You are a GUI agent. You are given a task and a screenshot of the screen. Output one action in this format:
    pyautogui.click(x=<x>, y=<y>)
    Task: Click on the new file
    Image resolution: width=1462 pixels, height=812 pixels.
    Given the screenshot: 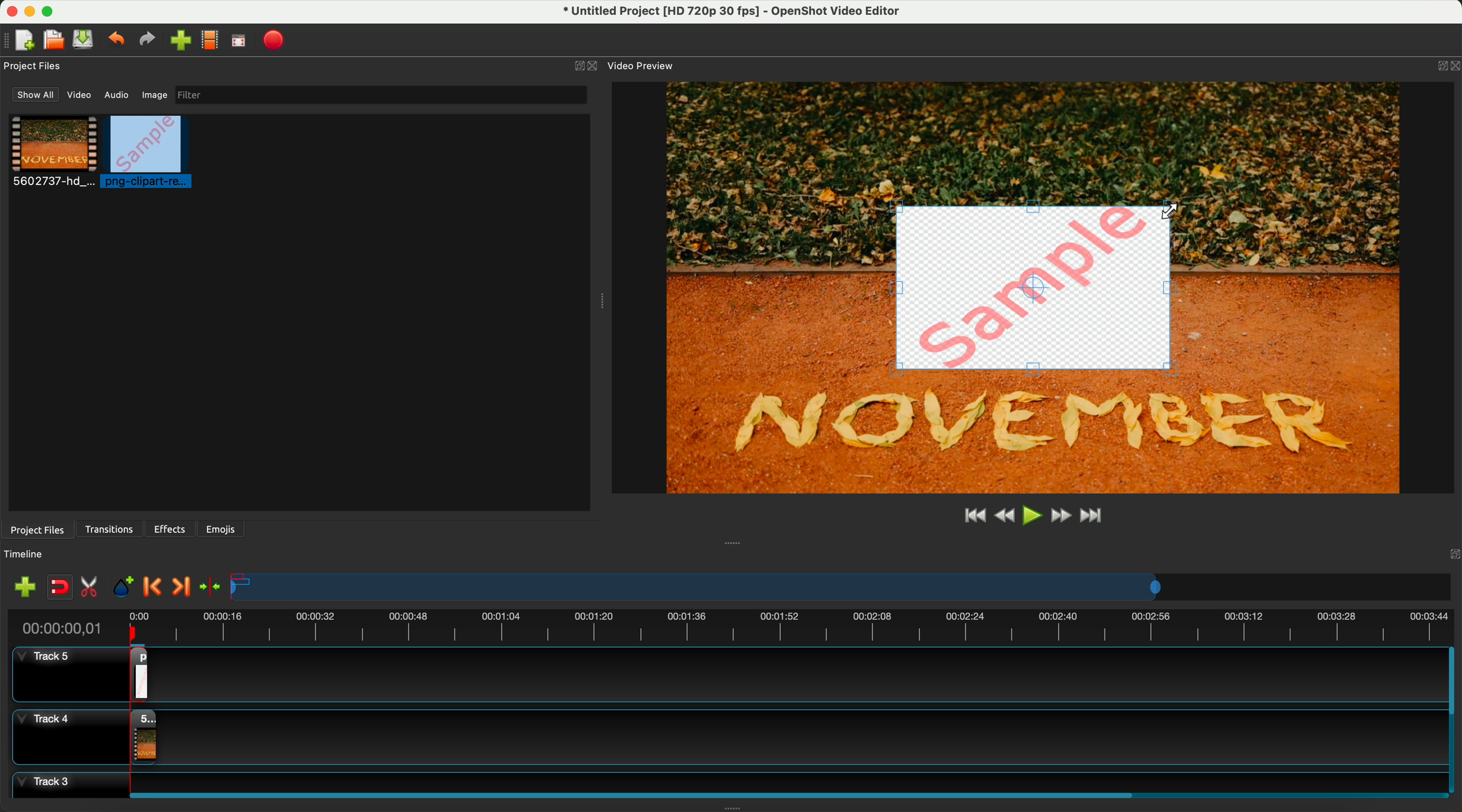 What is the action you would take?
    pyautogui.click(x=21, y=40)
    